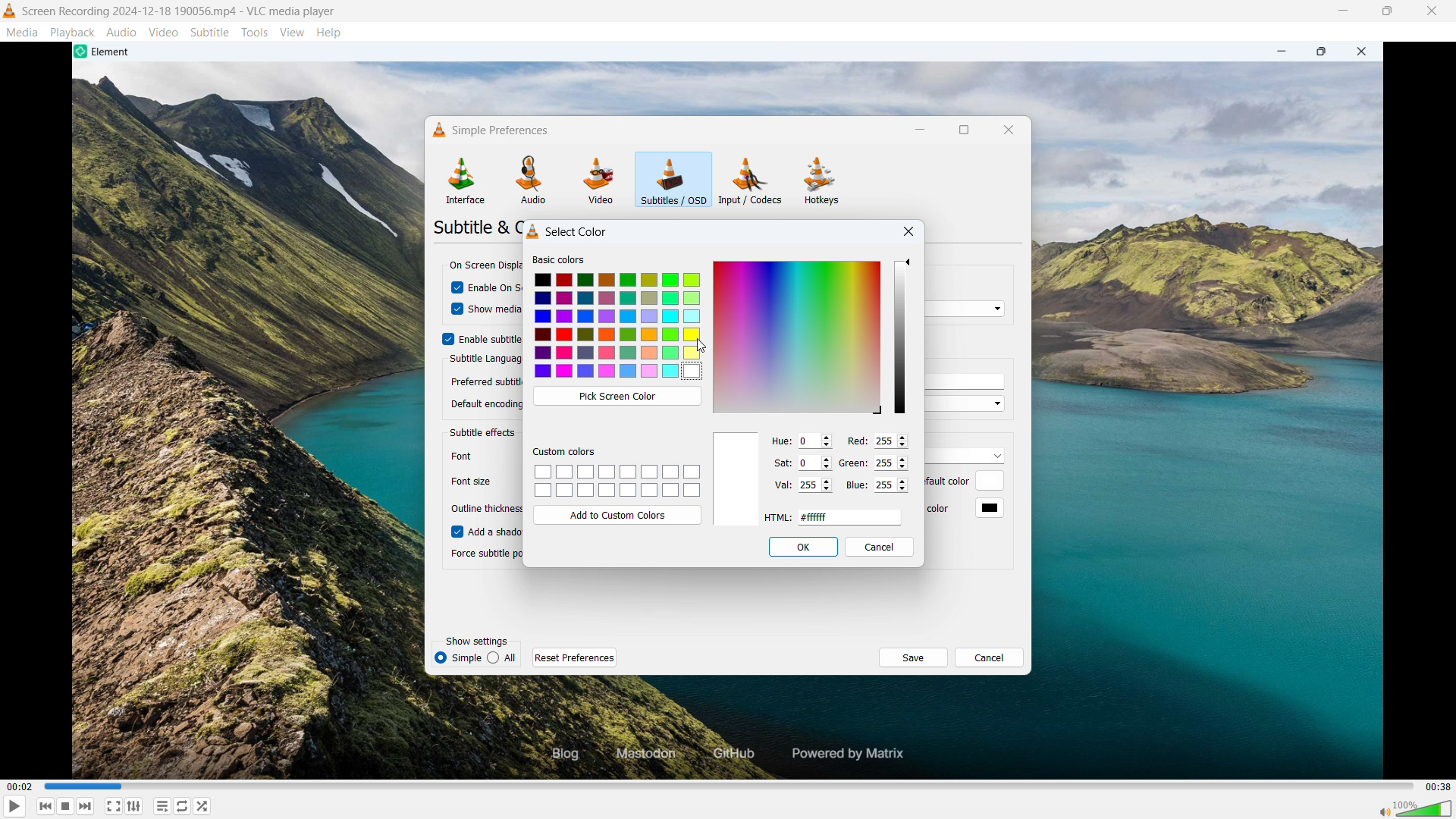 The width and height of the screenshot is (1456, 819). I want to click on save , so click(912, 657).